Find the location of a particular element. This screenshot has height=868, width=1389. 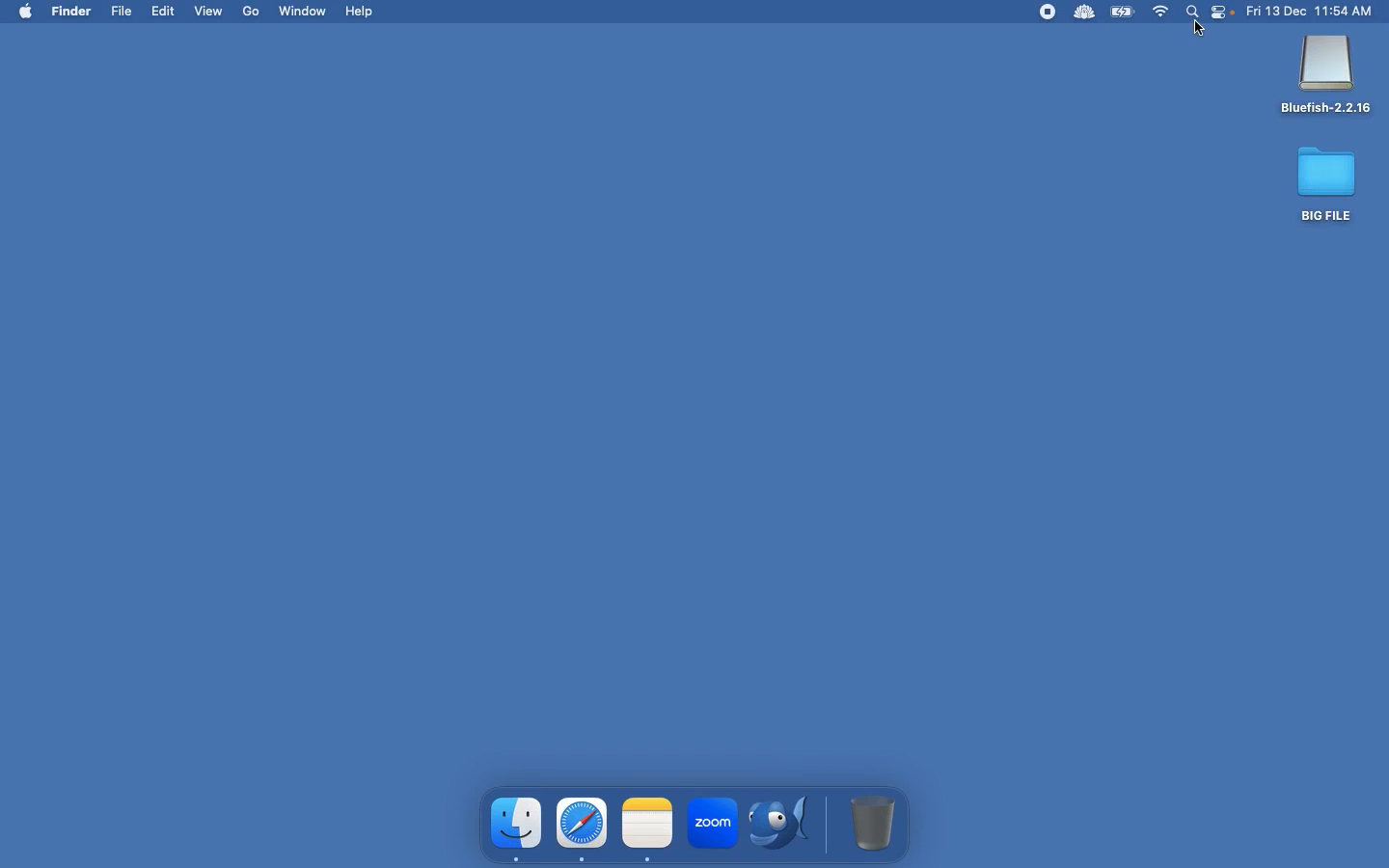

finder is located at coordinates (518, 824).